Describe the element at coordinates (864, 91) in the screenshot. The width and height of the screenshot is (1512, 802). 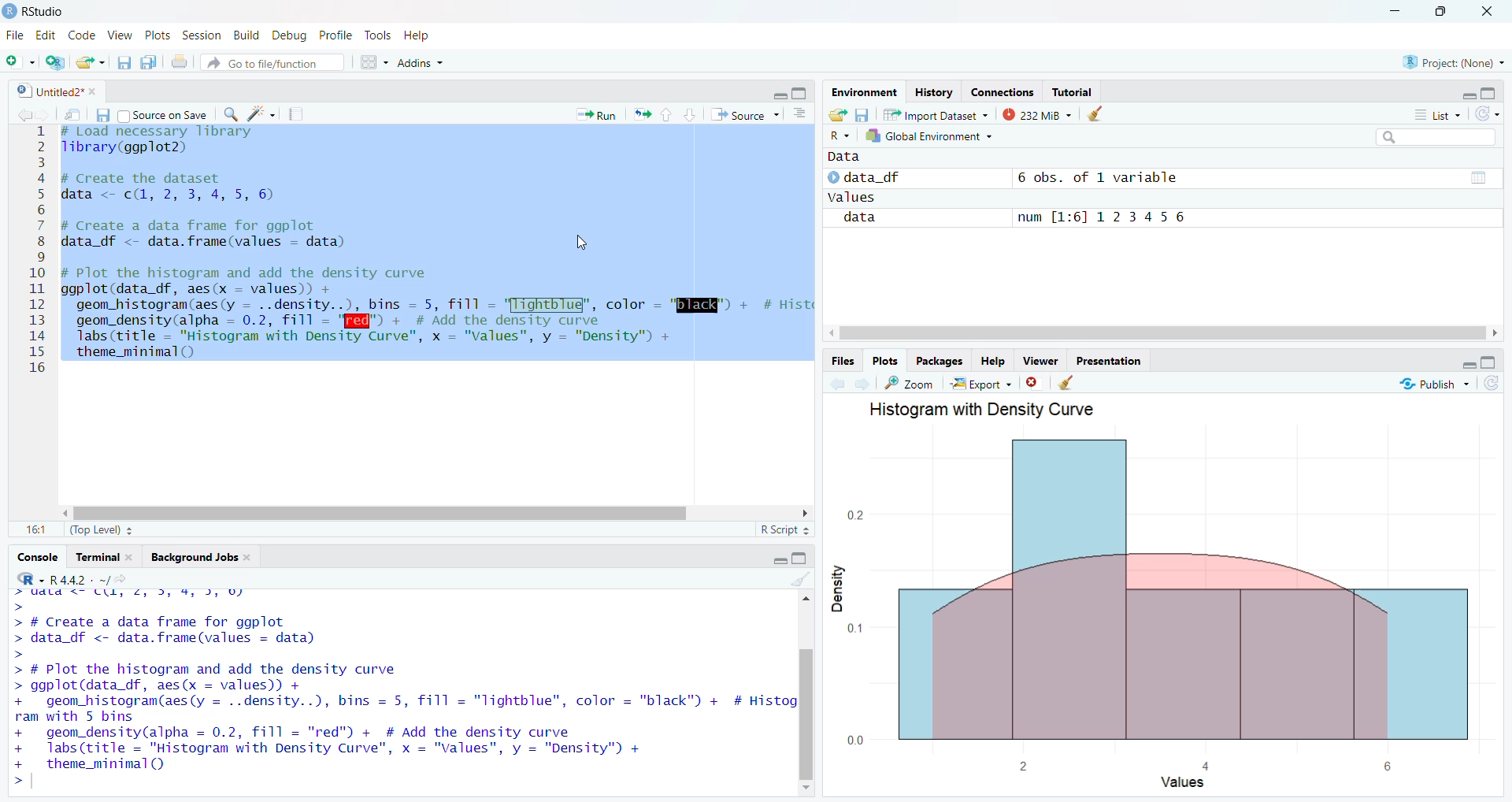
I see `Environment` at that location.